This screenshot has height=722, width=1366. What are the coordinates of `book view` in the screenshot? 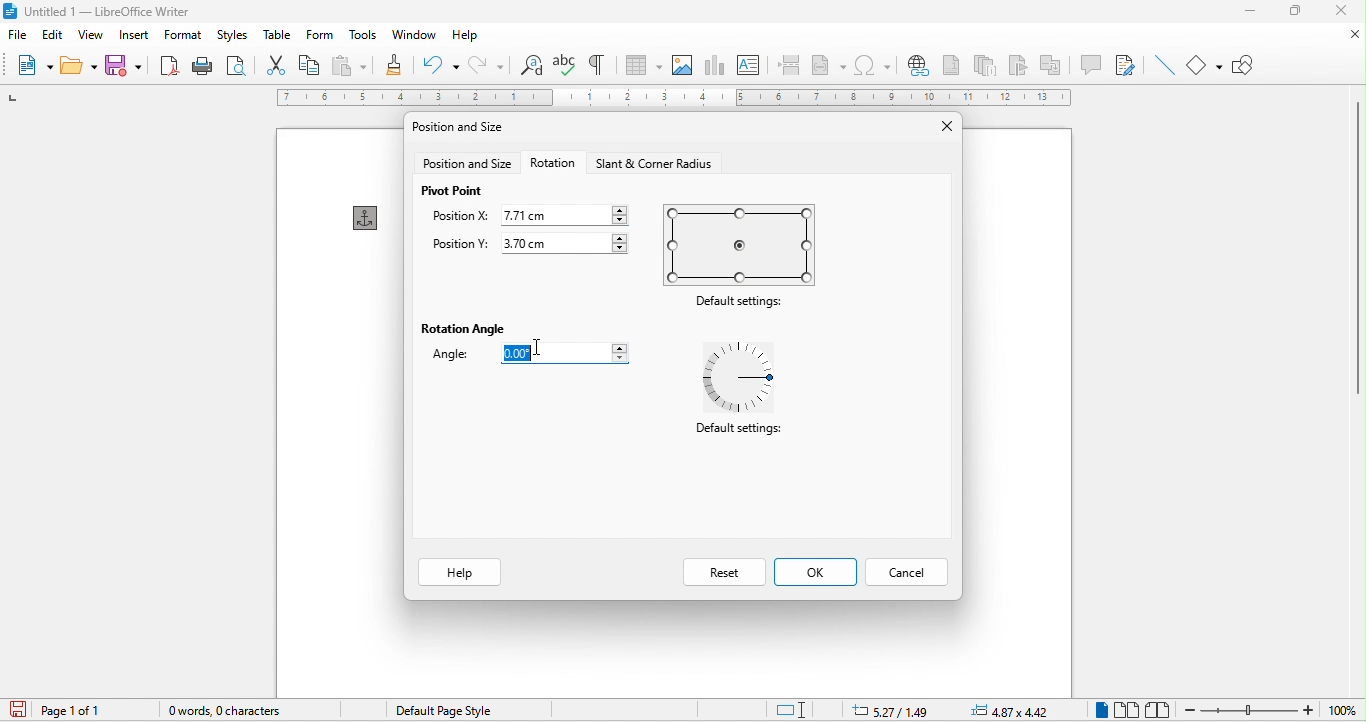 It's located at (1157, 711).